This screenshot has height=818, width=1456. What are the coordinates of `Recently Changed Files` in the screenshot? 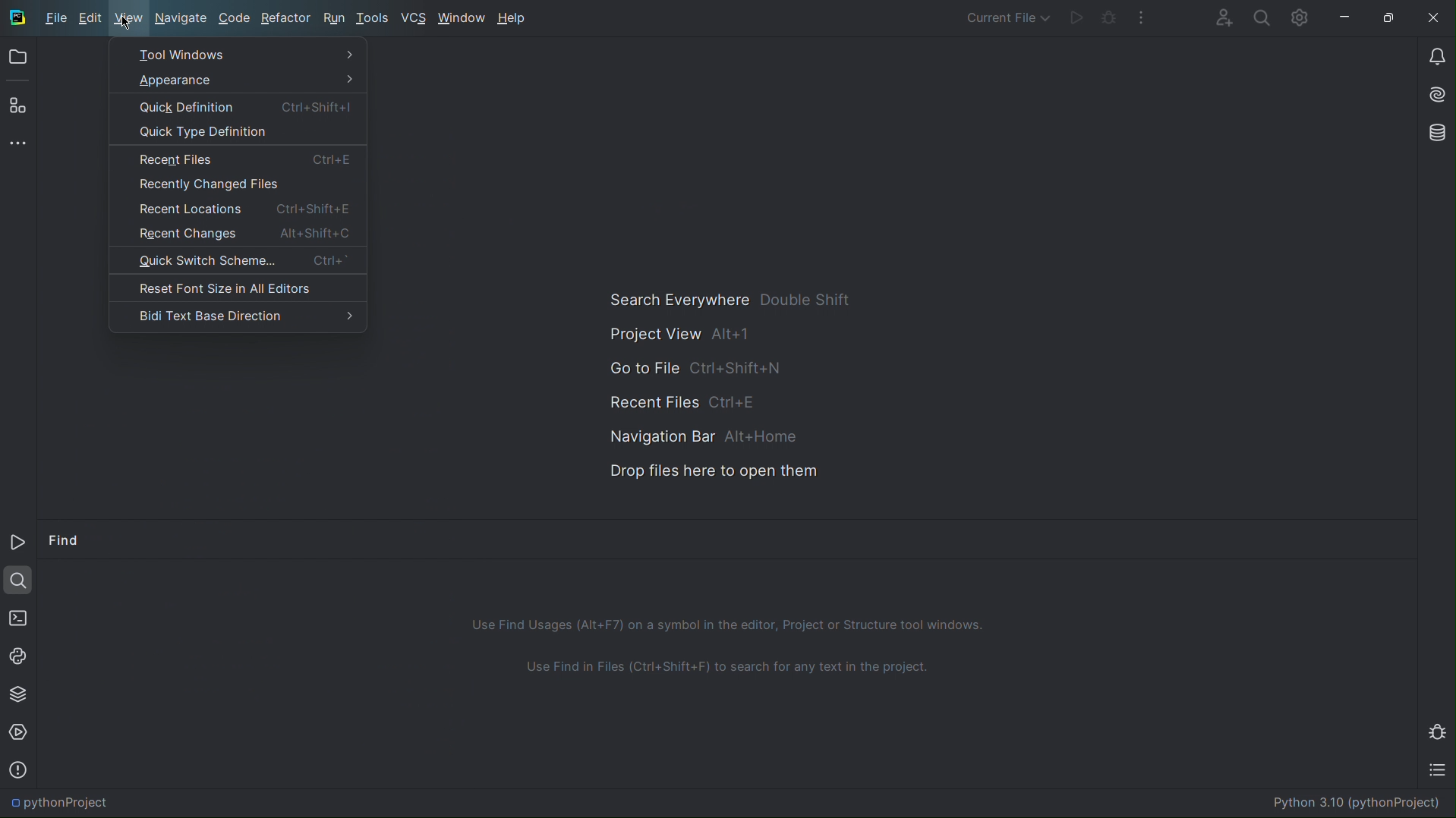 It's located at (237, 184).